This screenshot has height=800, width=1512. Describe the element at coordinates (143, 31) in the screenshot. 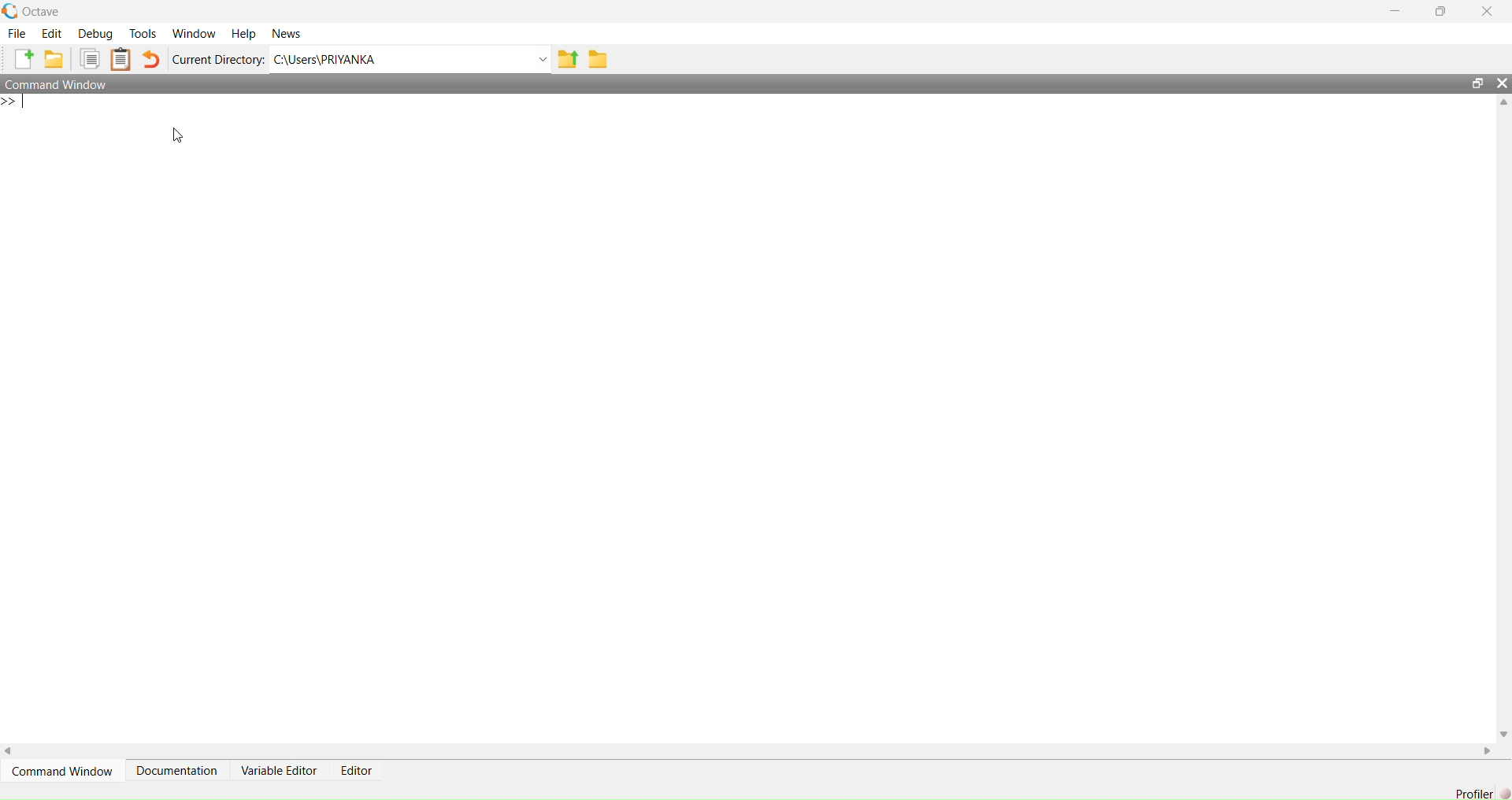

I see `Tools` at that location.